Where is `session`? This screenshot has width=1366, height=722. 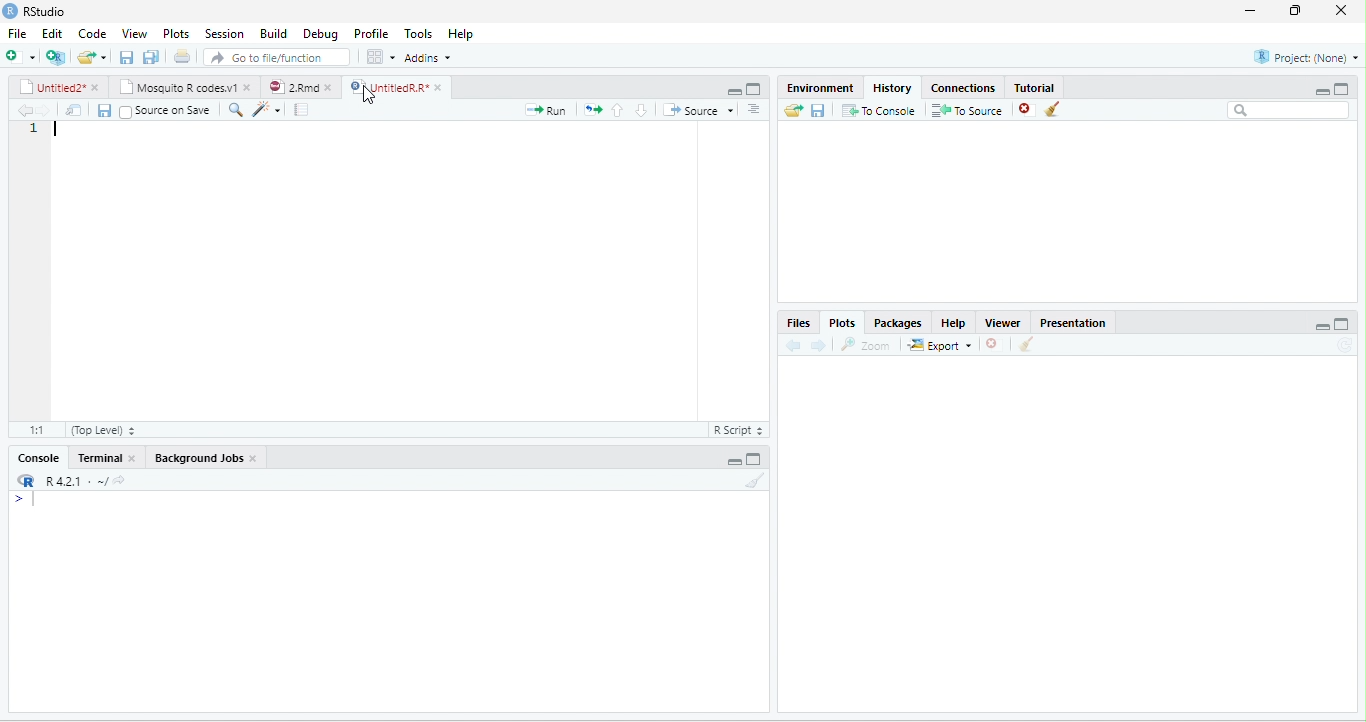
session is located at coordinates (224, 33).